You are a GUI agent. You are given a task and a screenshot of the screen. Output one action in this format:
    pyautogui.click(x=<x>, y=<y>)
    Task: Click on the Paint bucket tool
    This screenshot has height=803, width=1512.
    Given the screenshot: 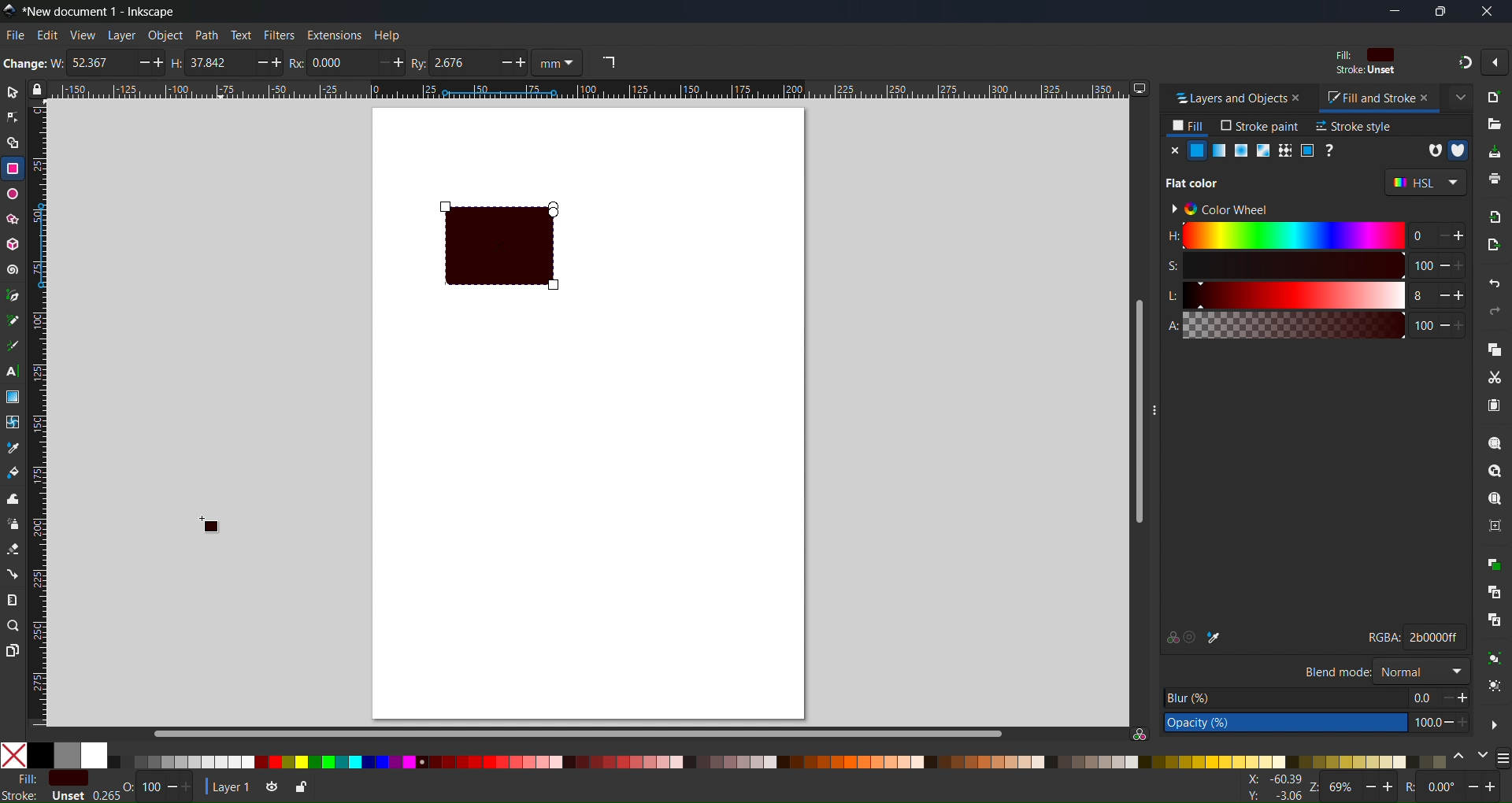 What is the action you would take?
    pyautogui.click(x=13, y=471)
    